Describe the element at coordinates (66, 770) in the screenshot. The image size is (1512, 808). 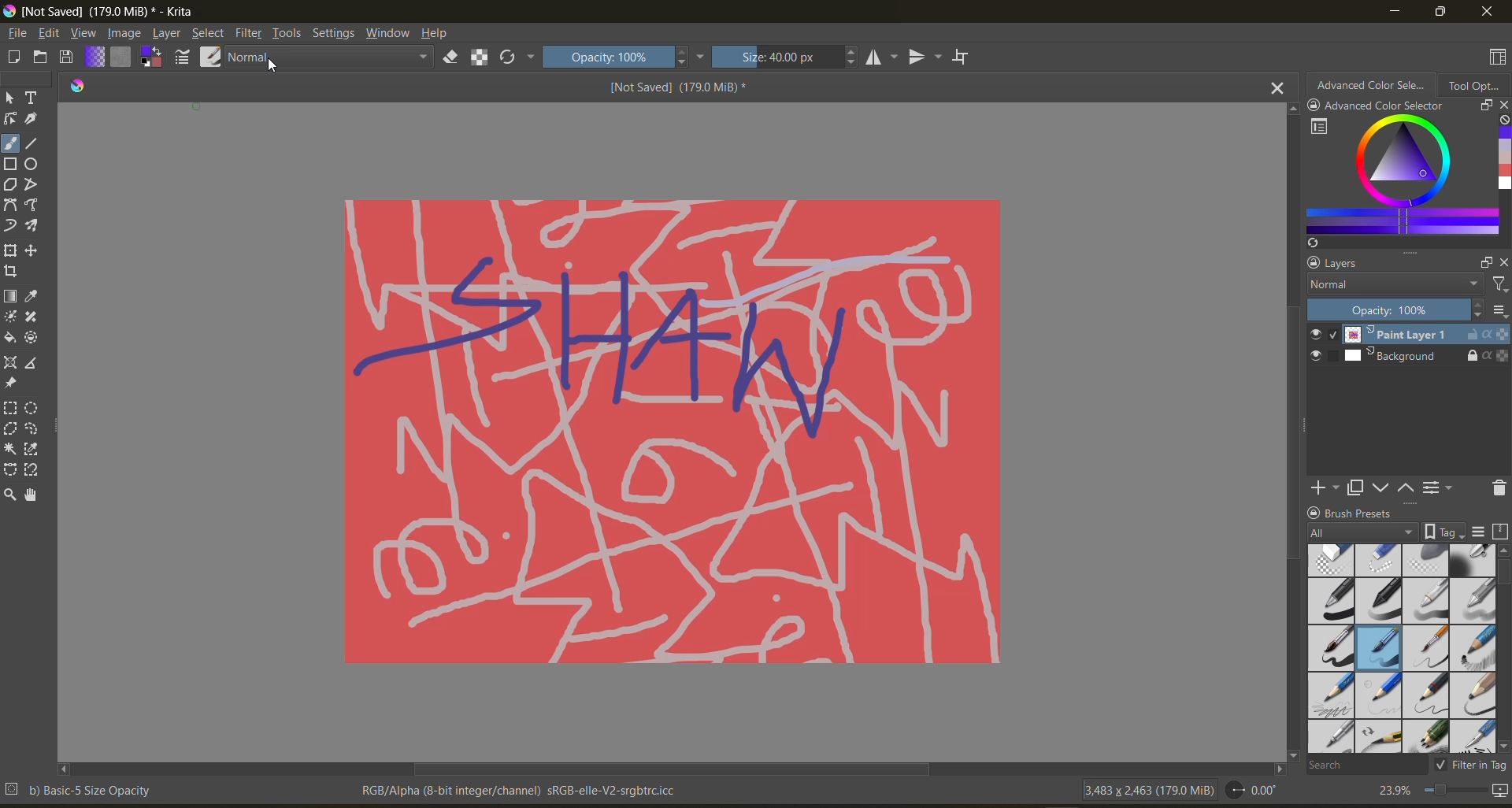
I see `scroll left` at that location.